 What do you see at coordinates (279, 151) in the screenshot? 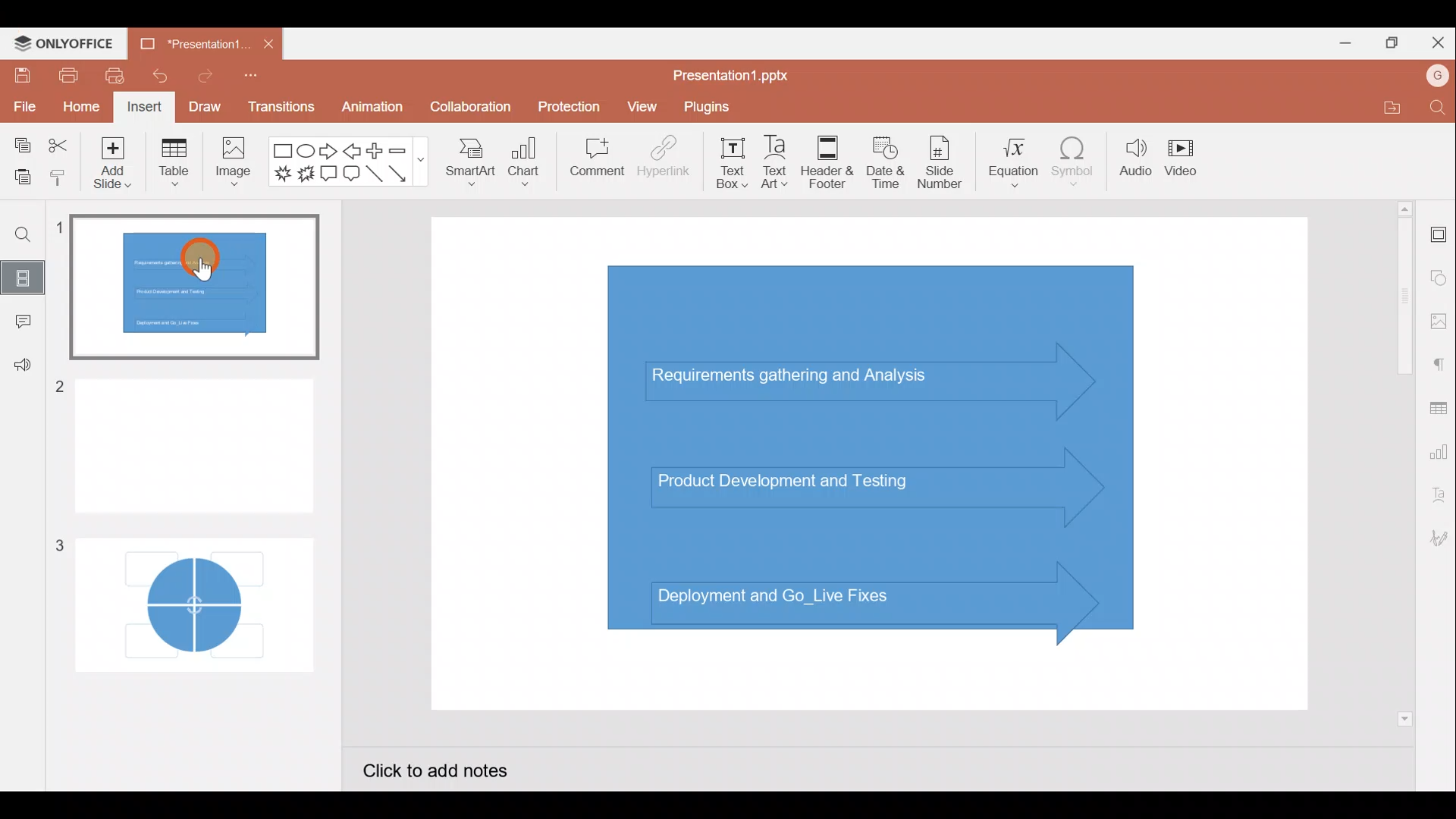
I see `Rectangle` at bounding box center [279, 151].